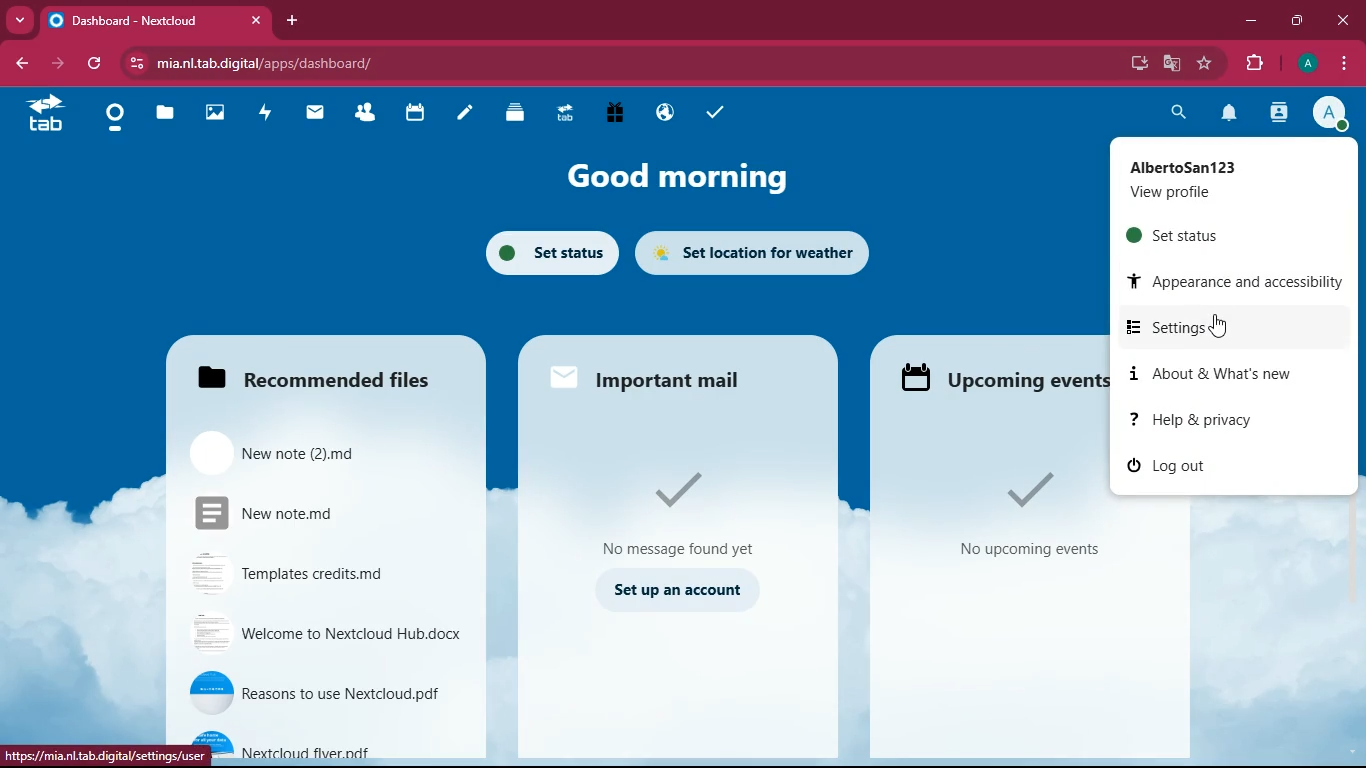  What do you see at coordinates (1234, 282) in the screenshot?
I see `appearance and accessibility` at bounding box center [1234, 282].